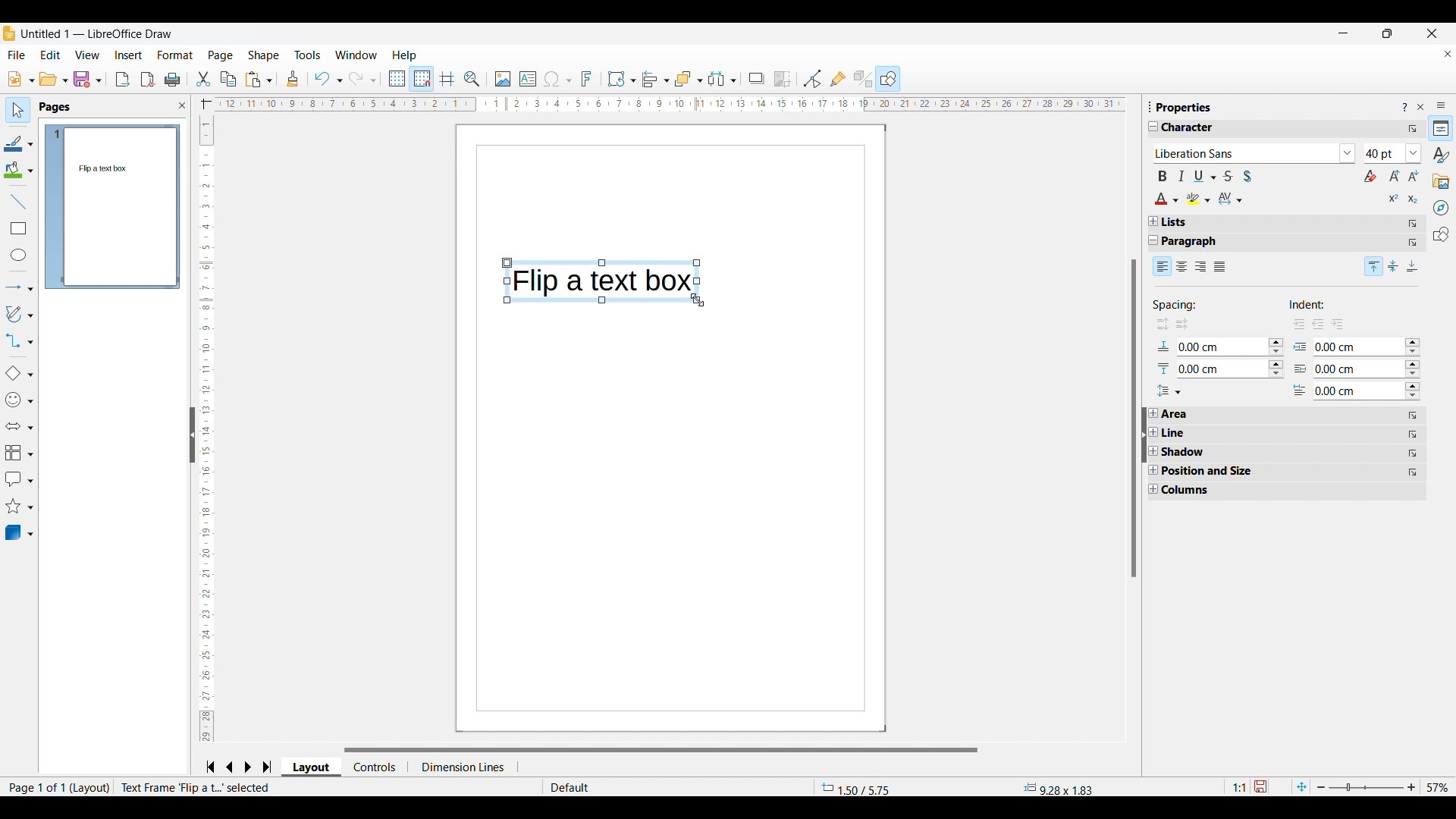 The height and width of the screenshot is (819, 1456). Describe the element at coordinates (328, 79) in the screenshot. I see `Undo` at that location.